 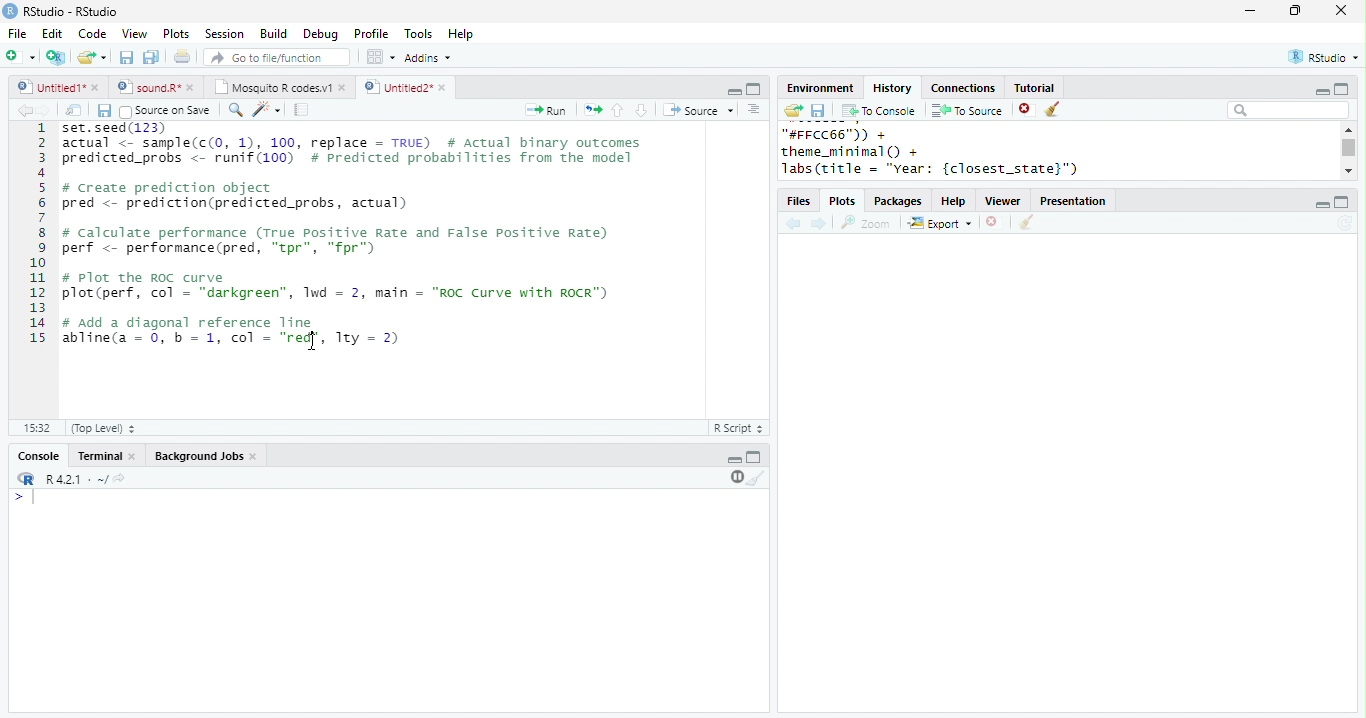 I want to click on Untitled 1, so click(x=48, y=86).